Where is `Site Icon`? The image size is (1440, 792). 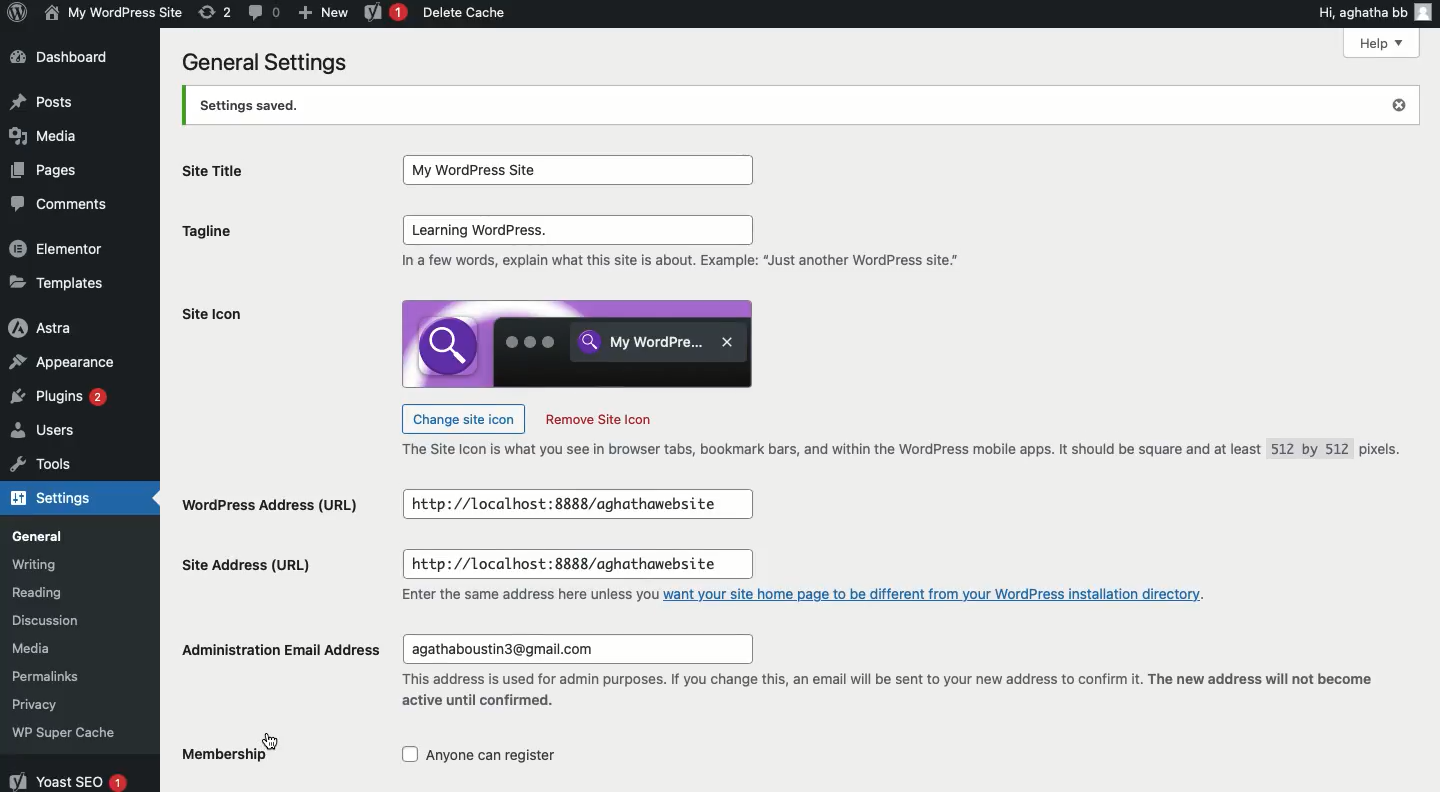 Site Icon is located at coordinates (574, 345).